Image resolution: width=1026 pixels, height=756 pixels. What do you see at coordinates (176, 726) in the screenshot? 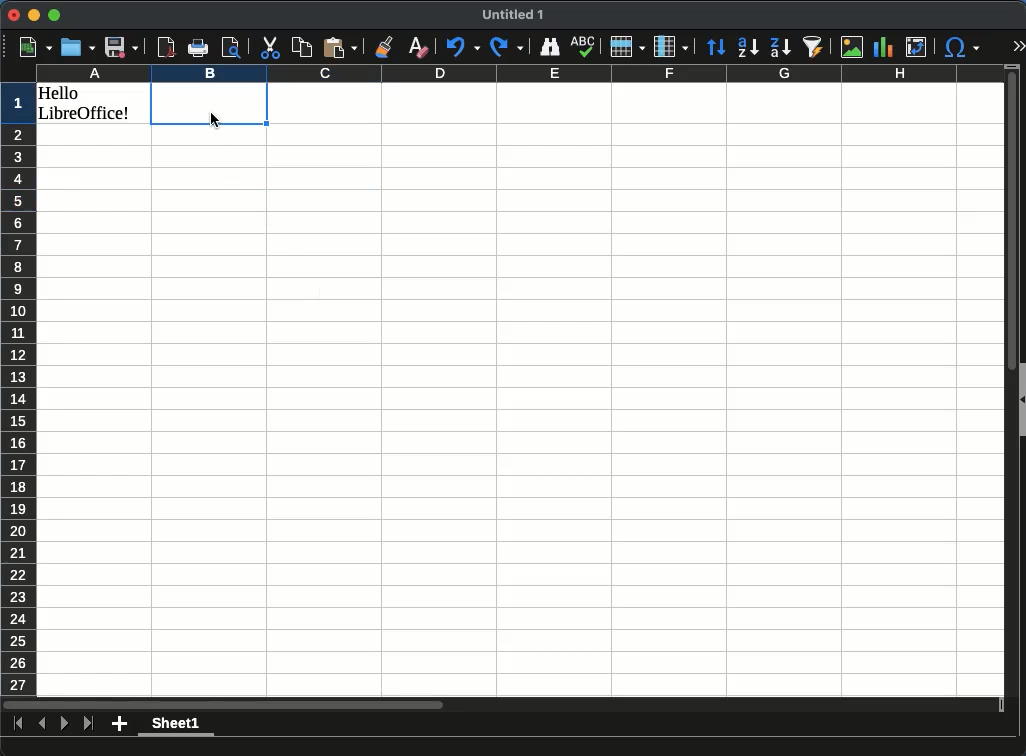
I see `Sheet 1` at bounding box center [176, 726].